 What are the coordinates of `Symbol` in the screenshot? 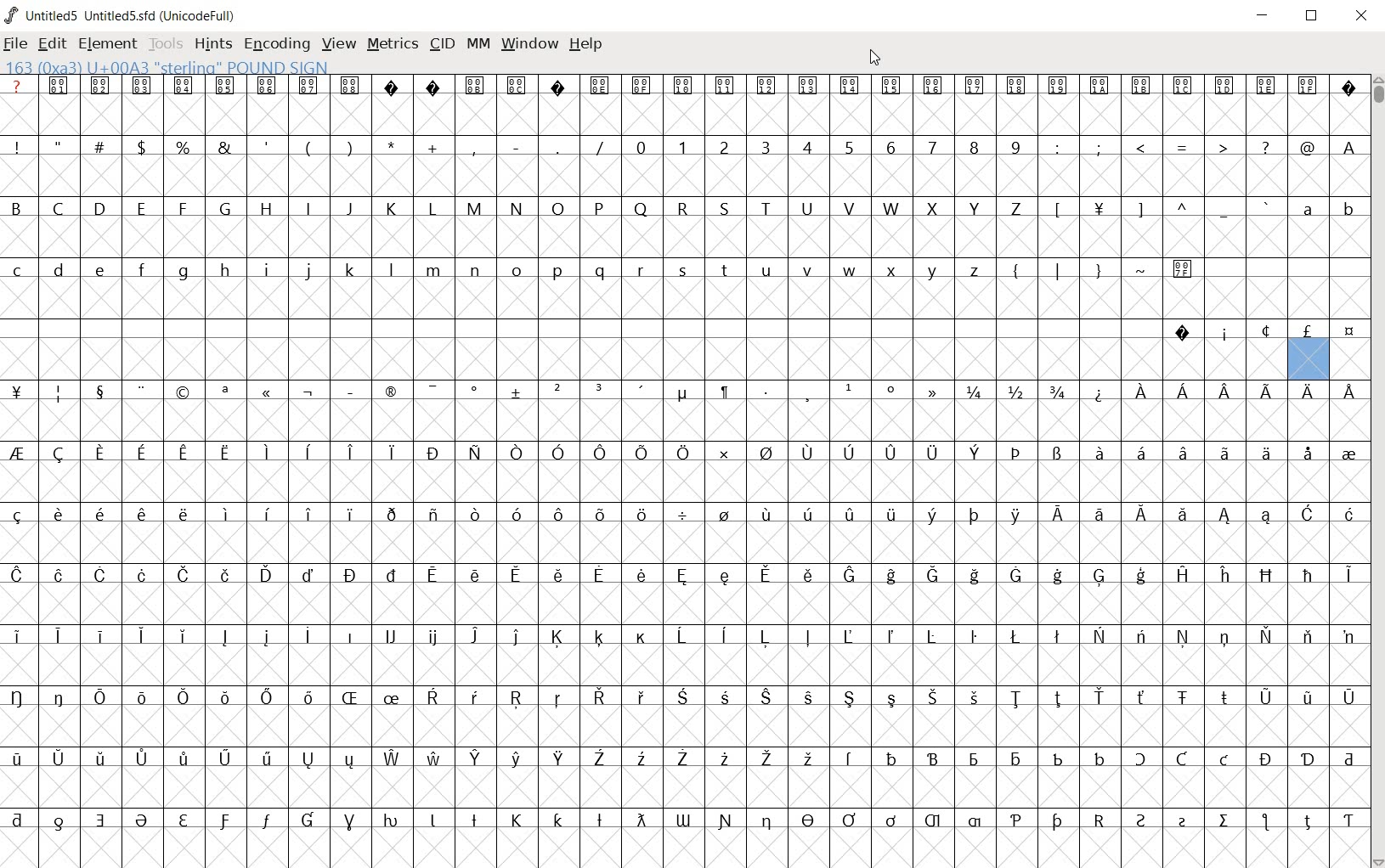 It's located at (810, 87).